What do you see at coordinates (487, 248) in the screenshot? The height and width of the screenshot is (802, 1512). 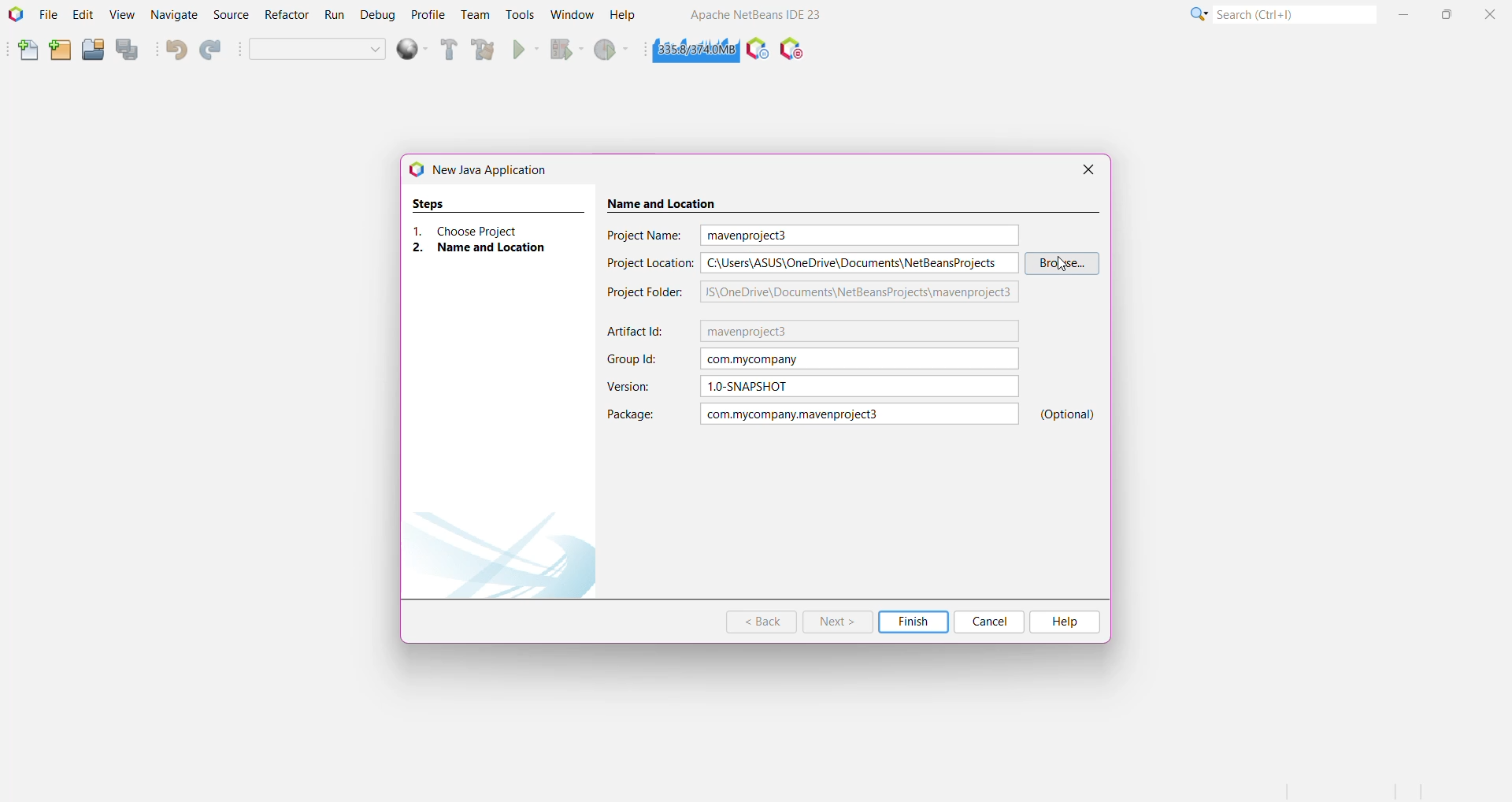 I see `Name and Location` at bounding box center [487, 248].